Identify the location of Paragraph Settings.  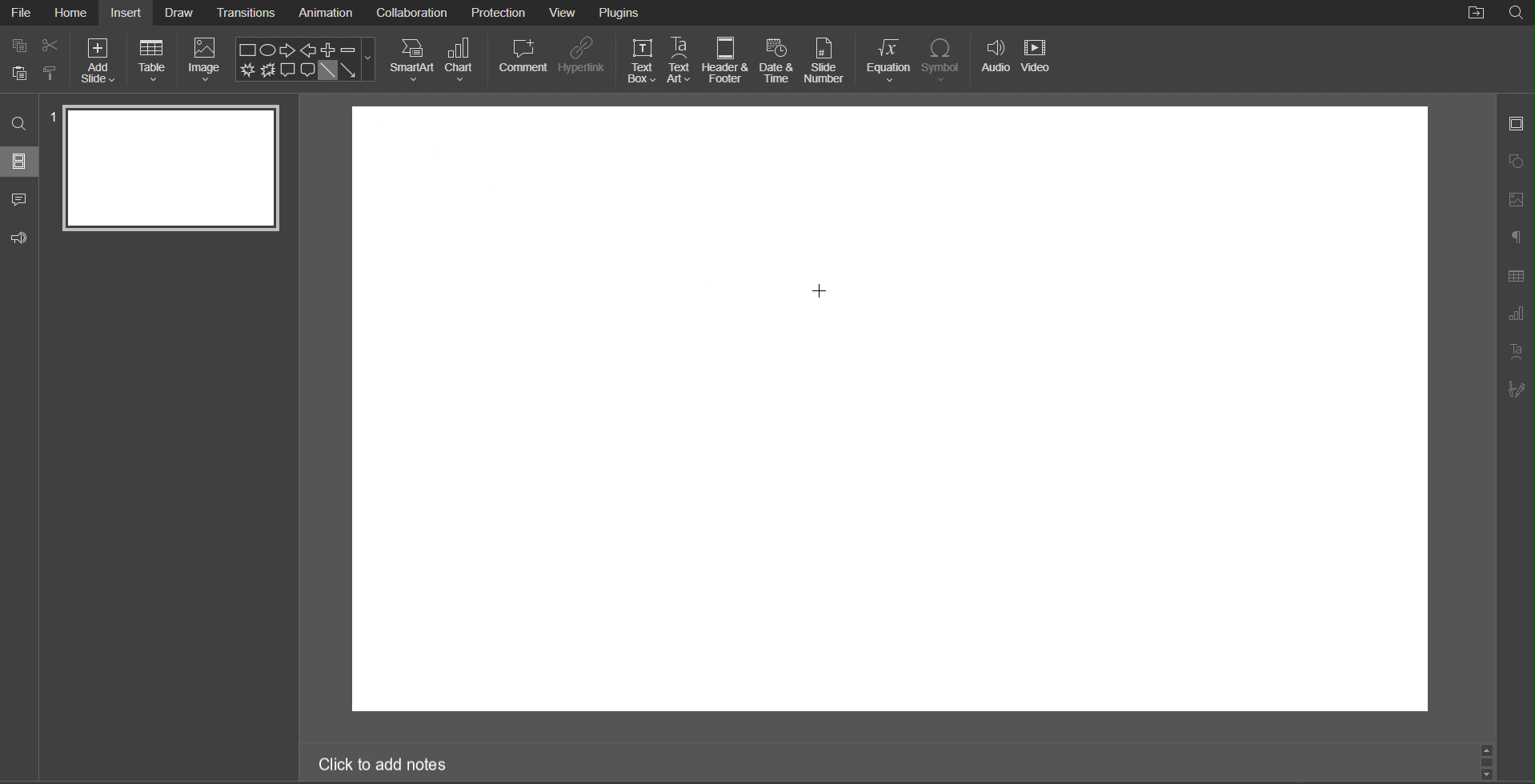
(1517, 238).